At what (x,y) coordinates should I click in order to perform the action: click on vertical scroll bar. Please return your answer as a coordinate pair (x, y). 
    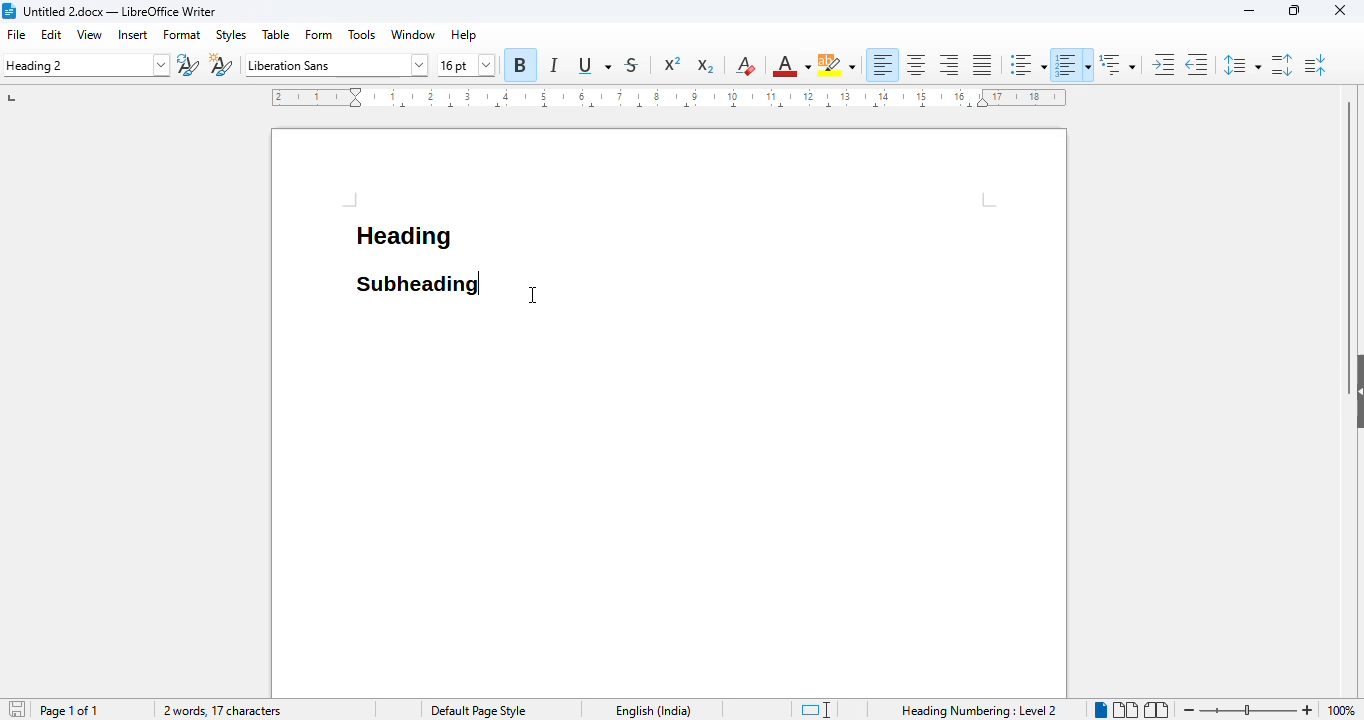
    Looking at the image, I should click on (1352, 218).